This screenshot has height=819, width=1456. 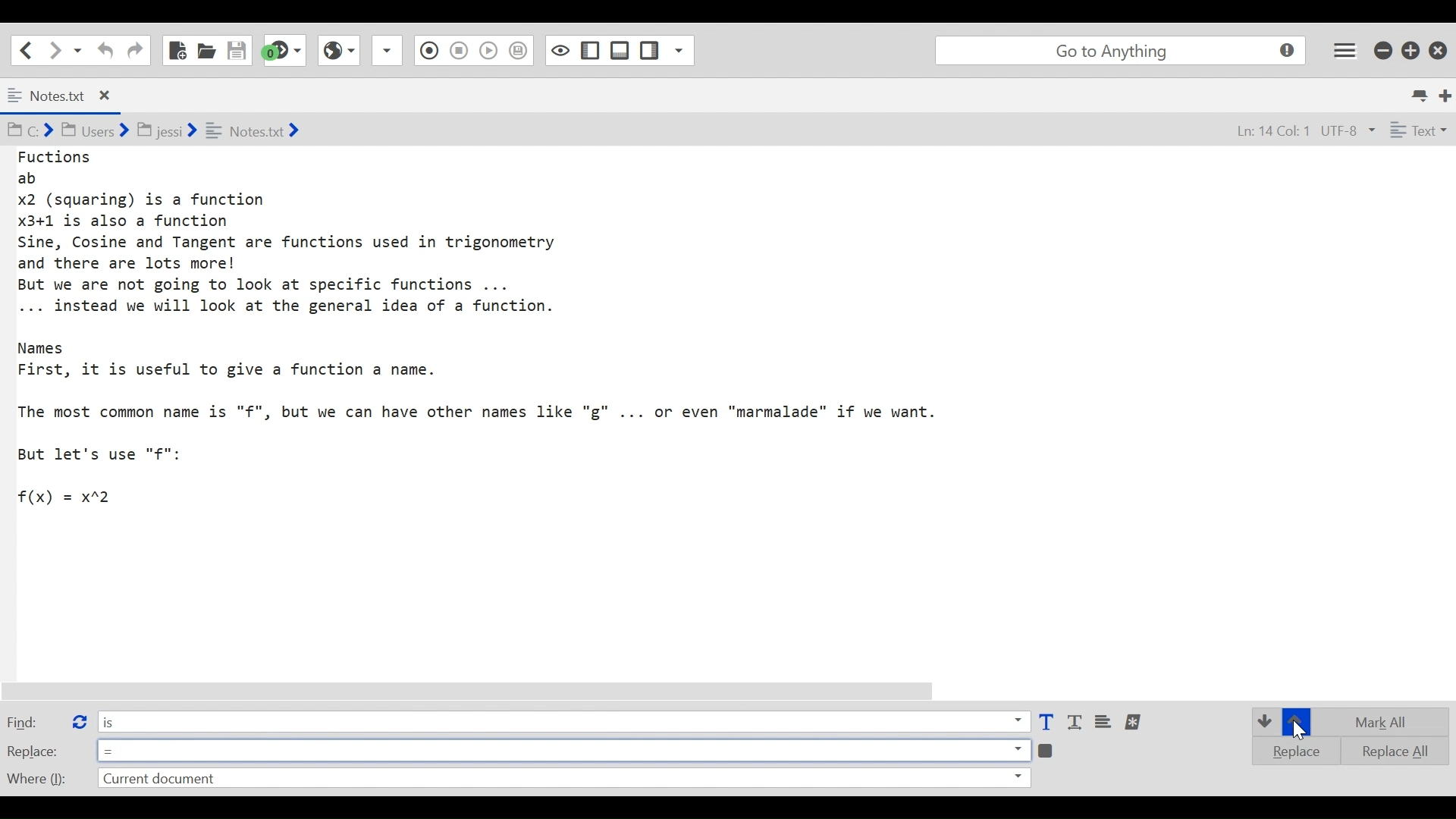 What do you see at coordinates (78, 720) in the screenshot?
I see `Replace Button` at bounding box center [78, 720].